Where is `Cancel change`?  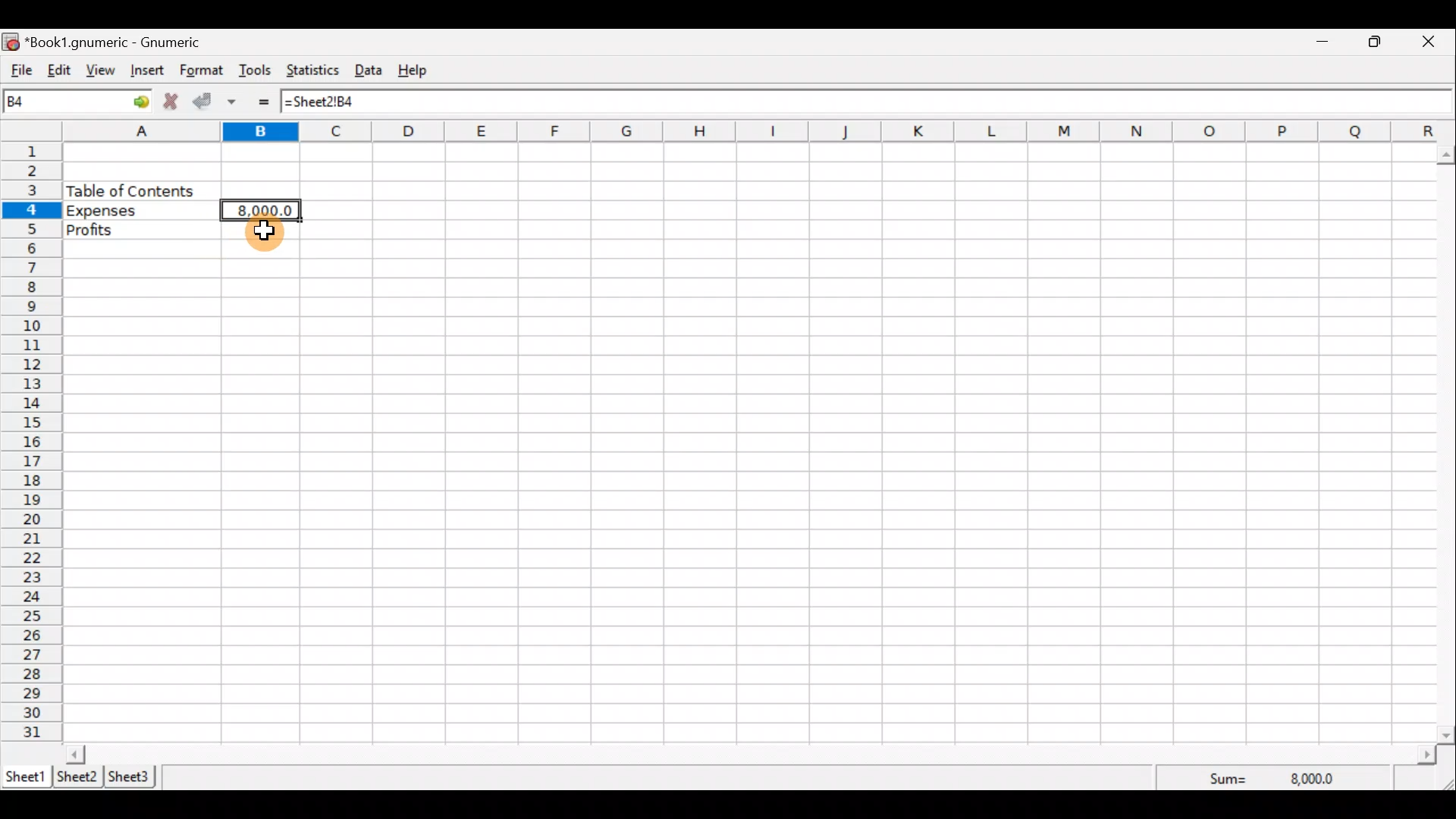 Cancel change is located at coordinates (174, 103).